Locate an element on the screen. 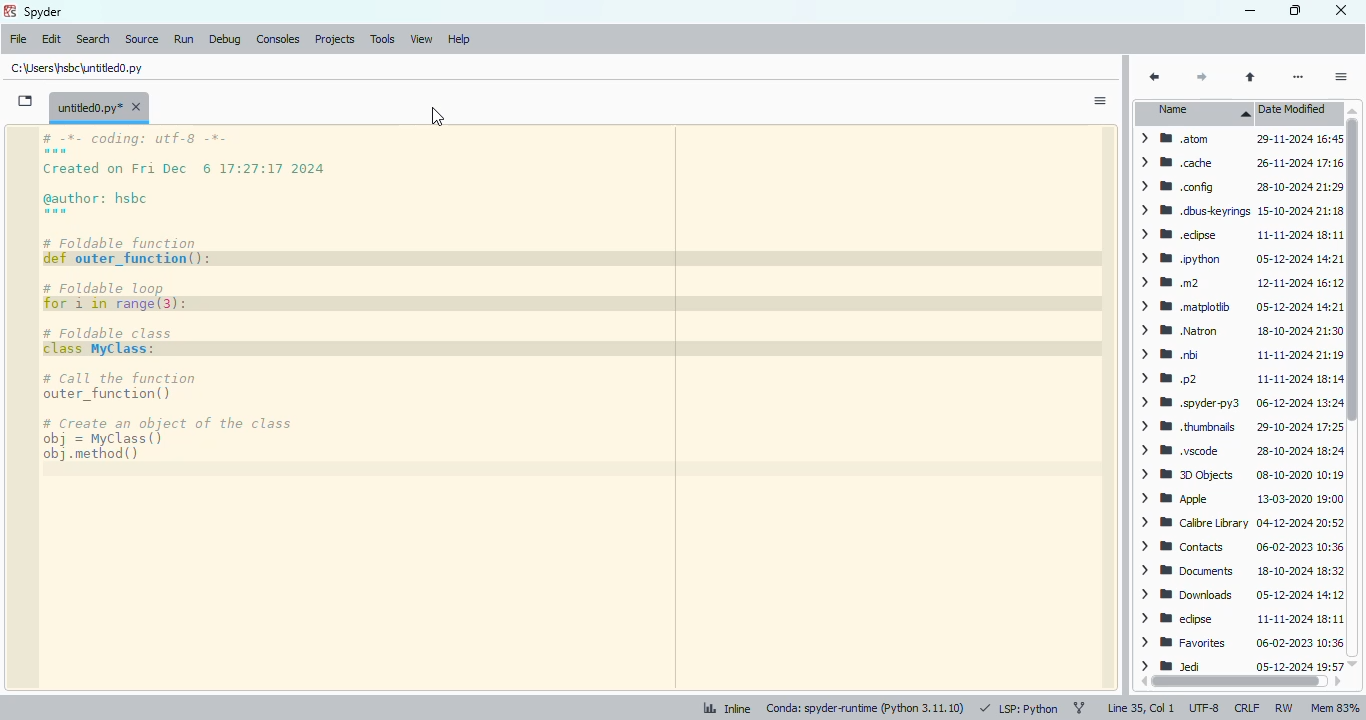  CRLF is located at coordinates (1246, 708).